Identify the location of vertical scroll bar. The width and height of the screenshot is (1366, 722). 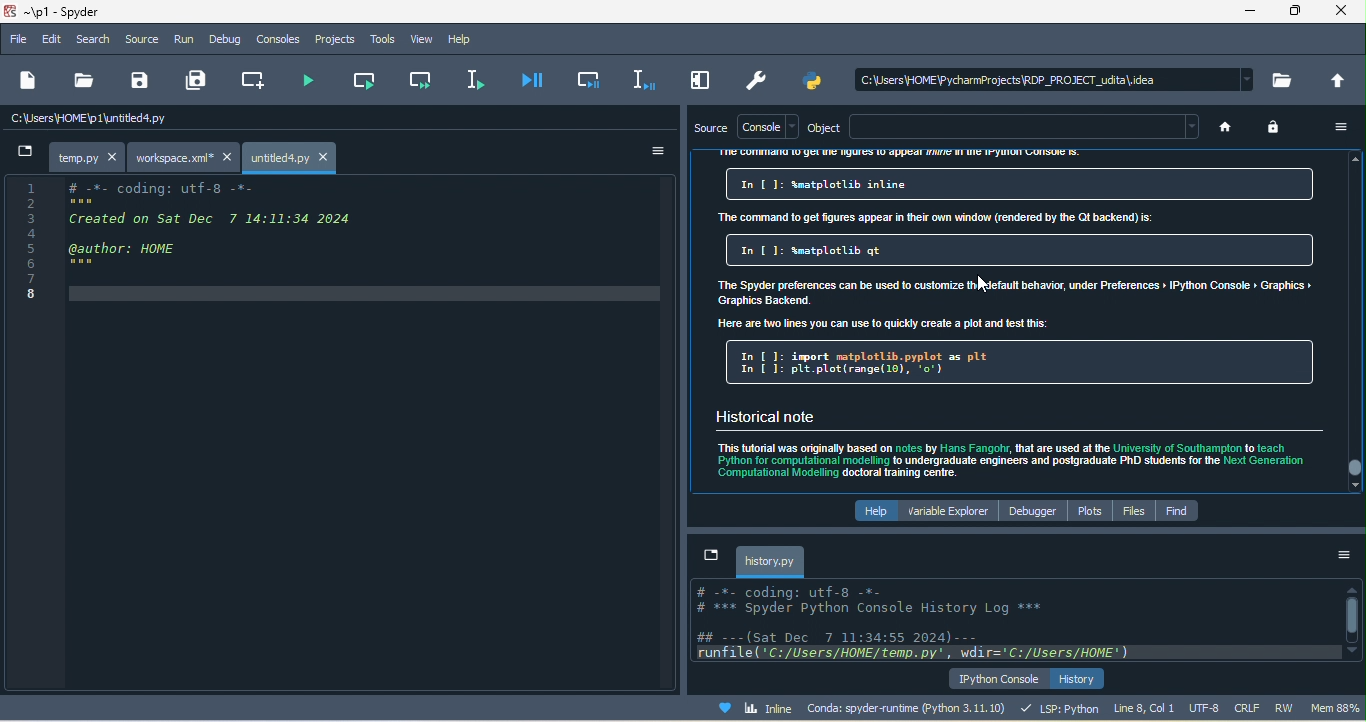
(1351, 620).